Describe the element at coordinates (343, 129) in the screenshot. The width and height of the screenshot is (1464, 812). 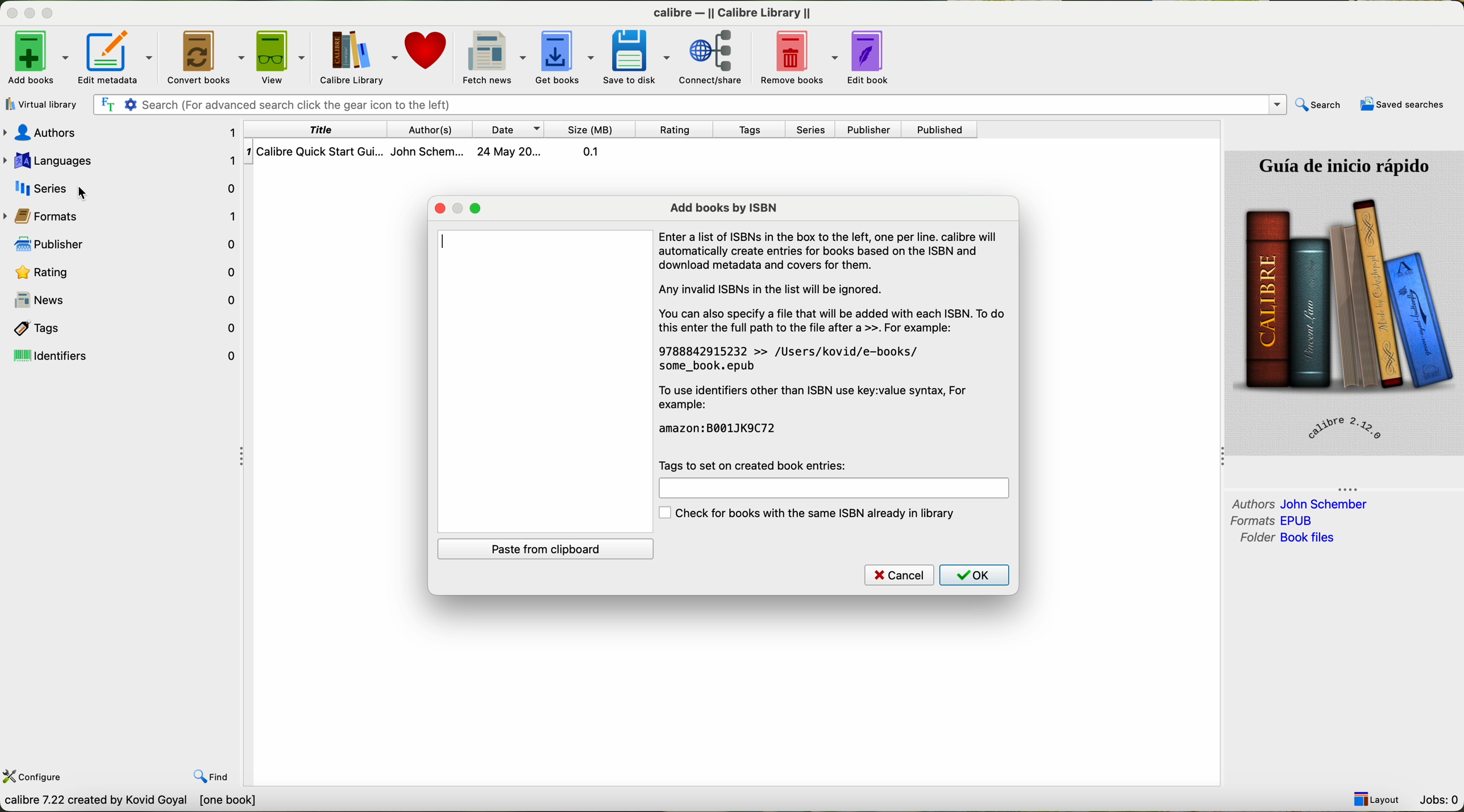
I see `title` at that location.